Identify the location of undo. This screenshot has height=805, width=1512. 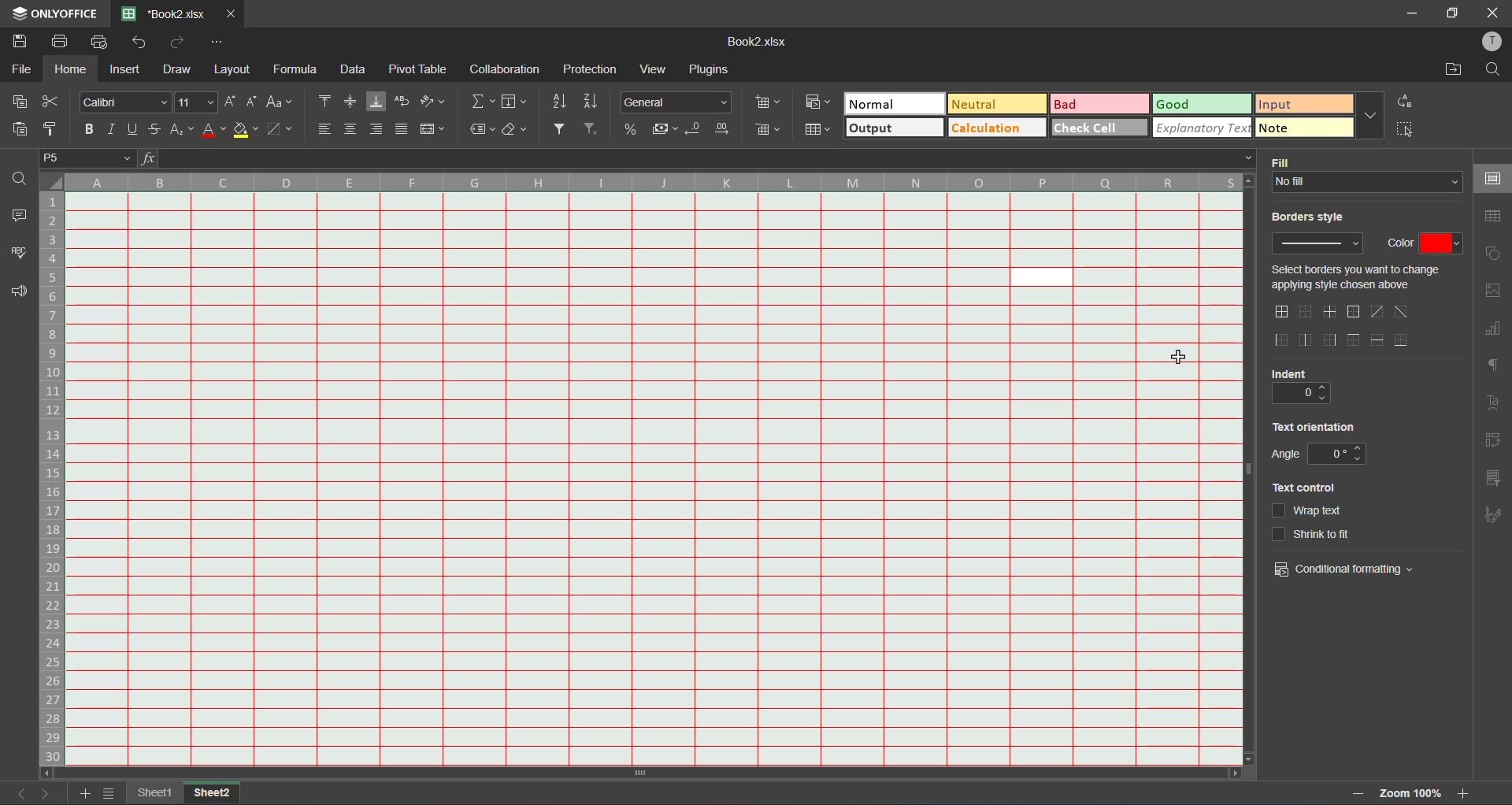
(143, 45).